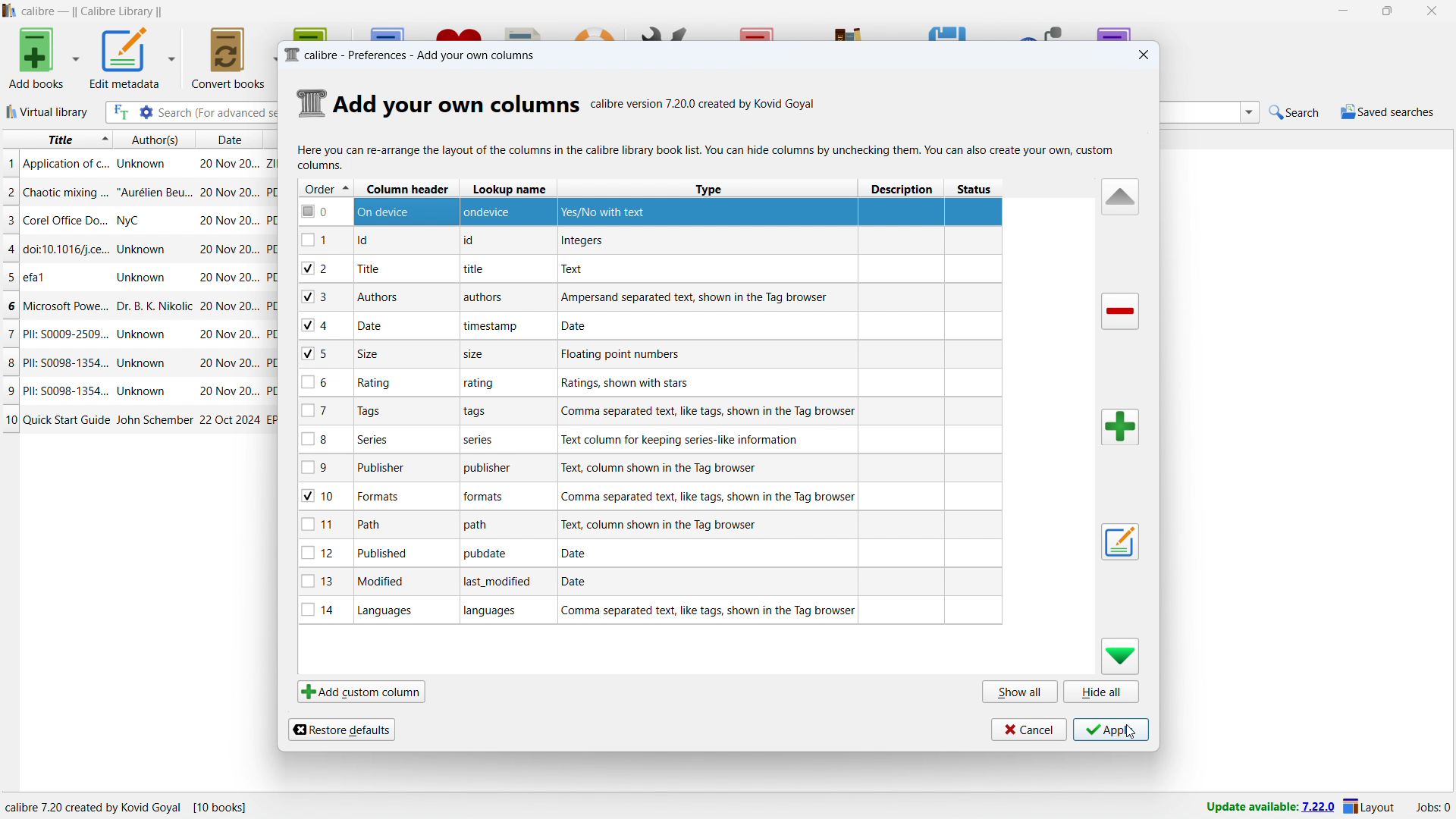 The width and height of the screenshot is (1456, 819). Describe the element at coordinates (480, 384) in the screenshot. I see `rating` at that location.